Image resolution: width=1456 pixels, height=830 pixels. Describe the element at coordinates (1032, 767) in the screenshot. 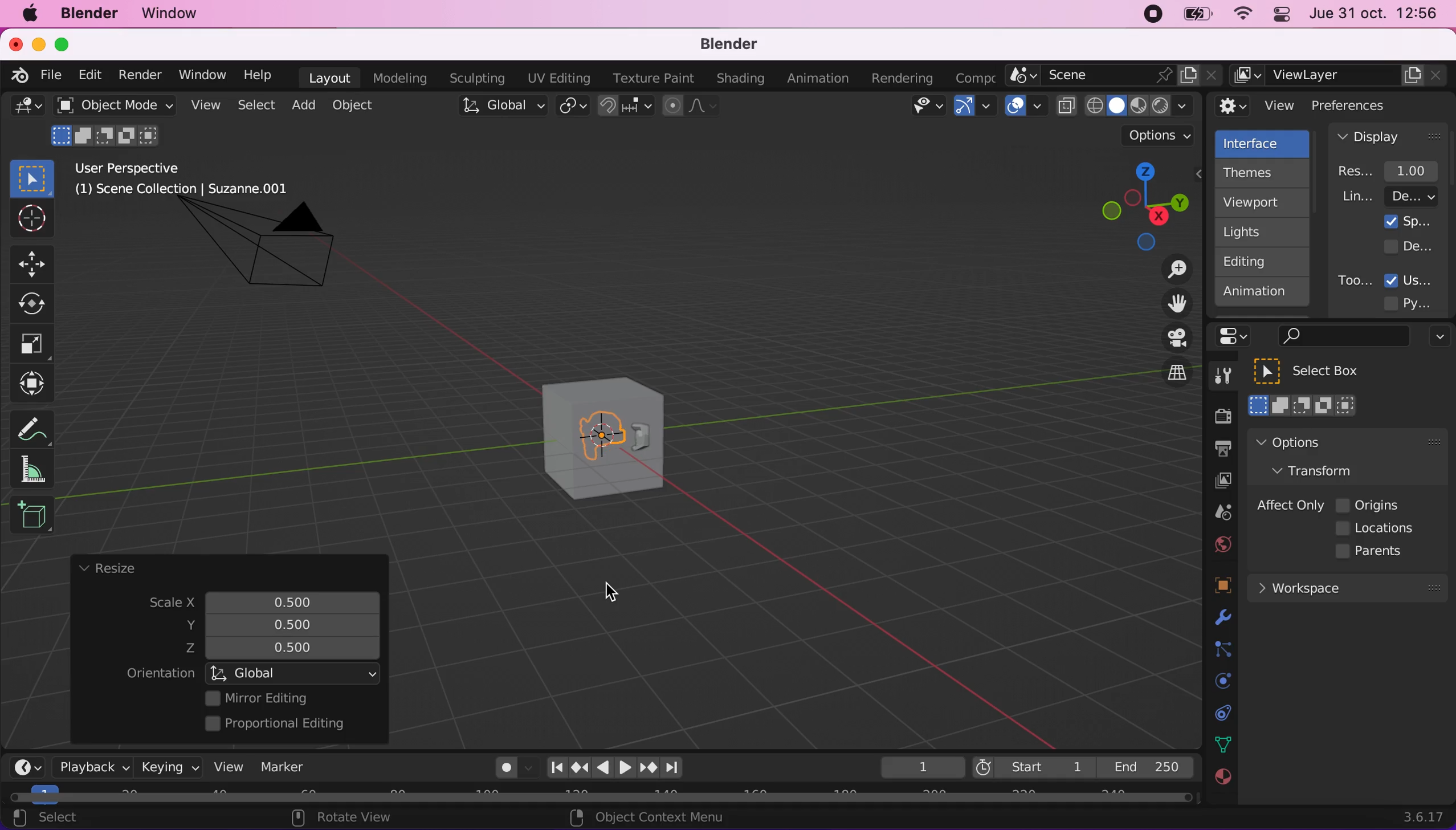

I see `start 1` at that location.